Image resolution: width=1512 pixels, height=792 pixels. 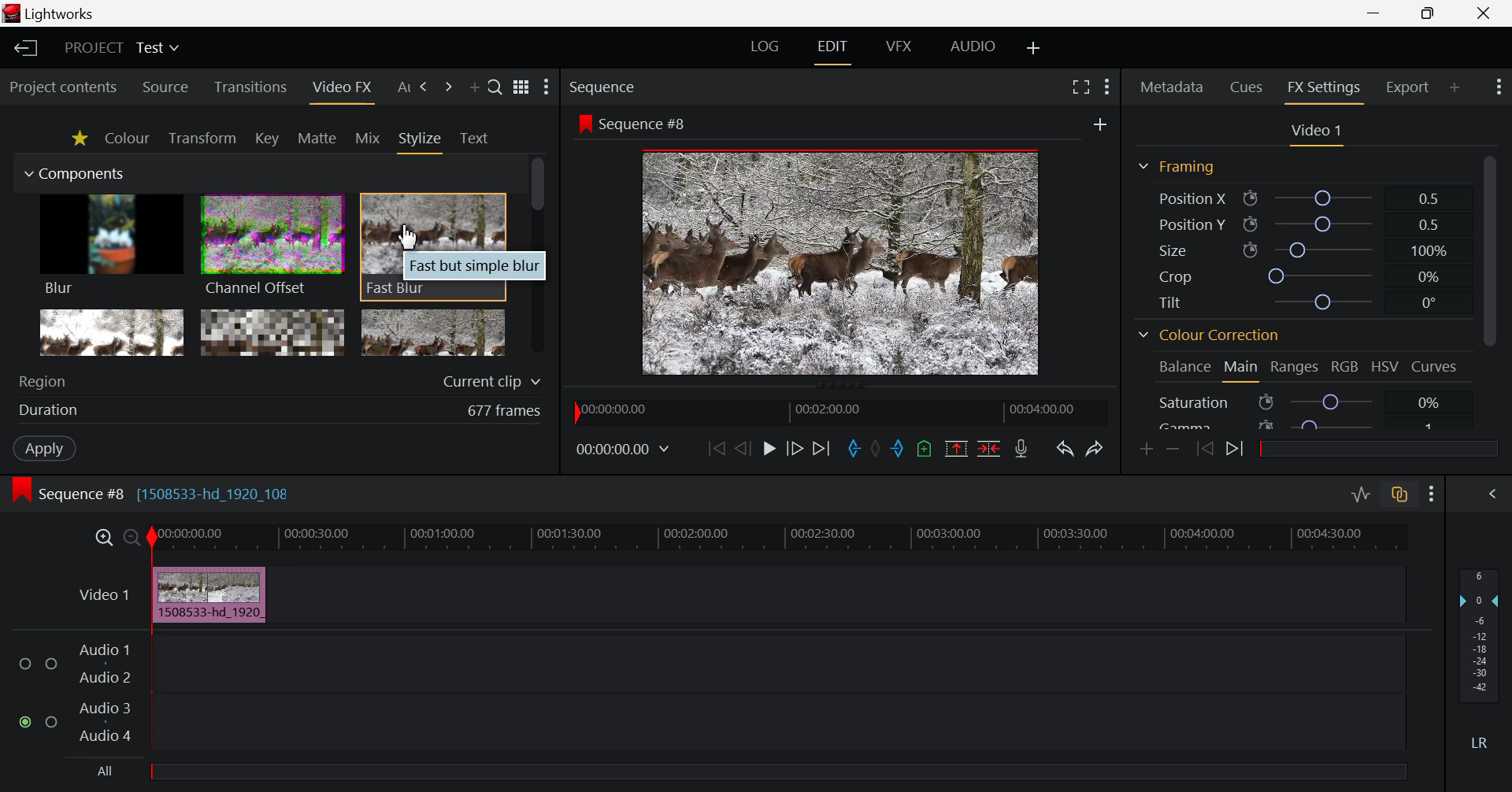 I want to click on Main Tab Open, so click(x=1240, y=371).